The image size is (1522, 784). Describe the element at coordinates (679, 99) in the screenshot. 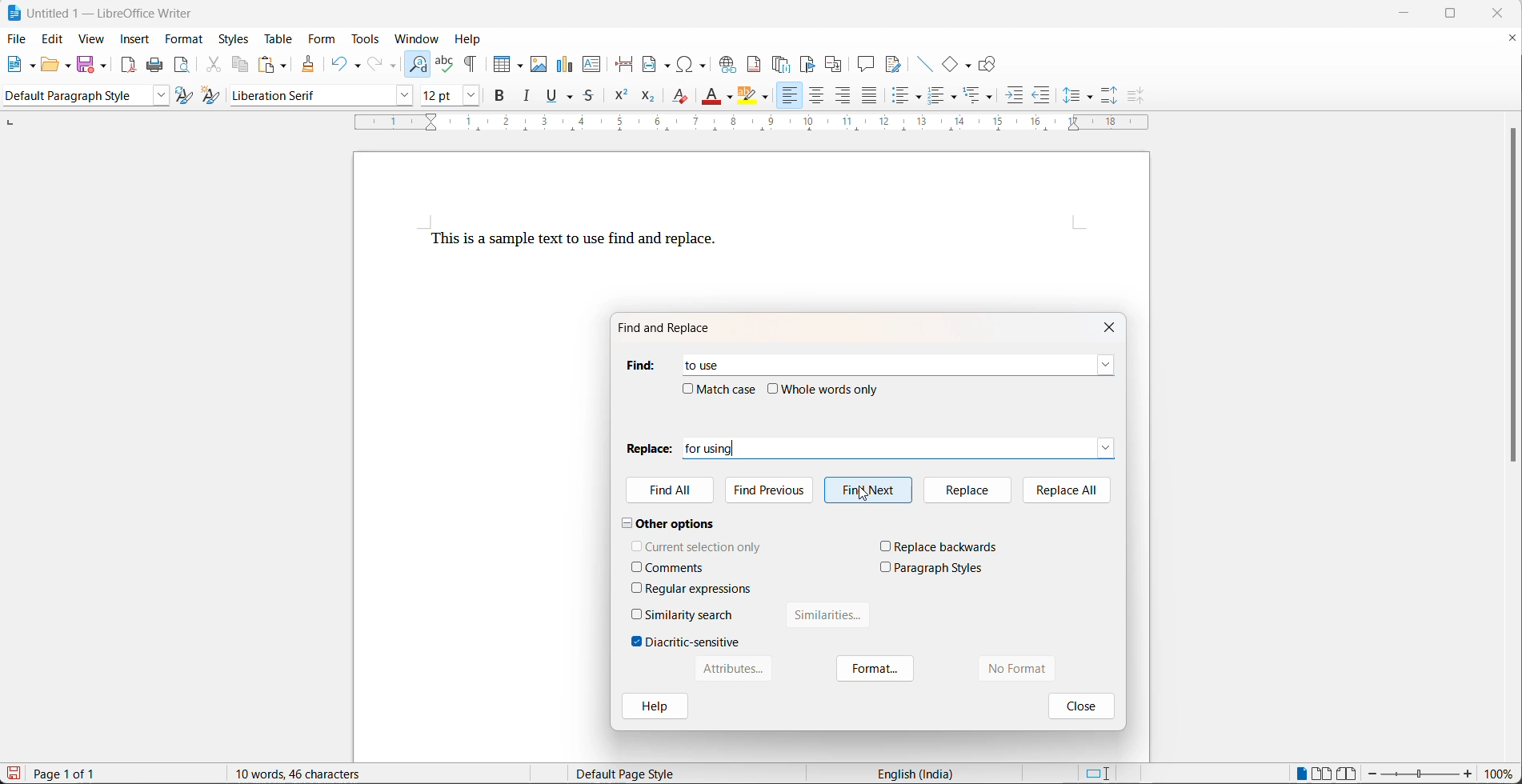

I see `clear direct formatting` at that location.